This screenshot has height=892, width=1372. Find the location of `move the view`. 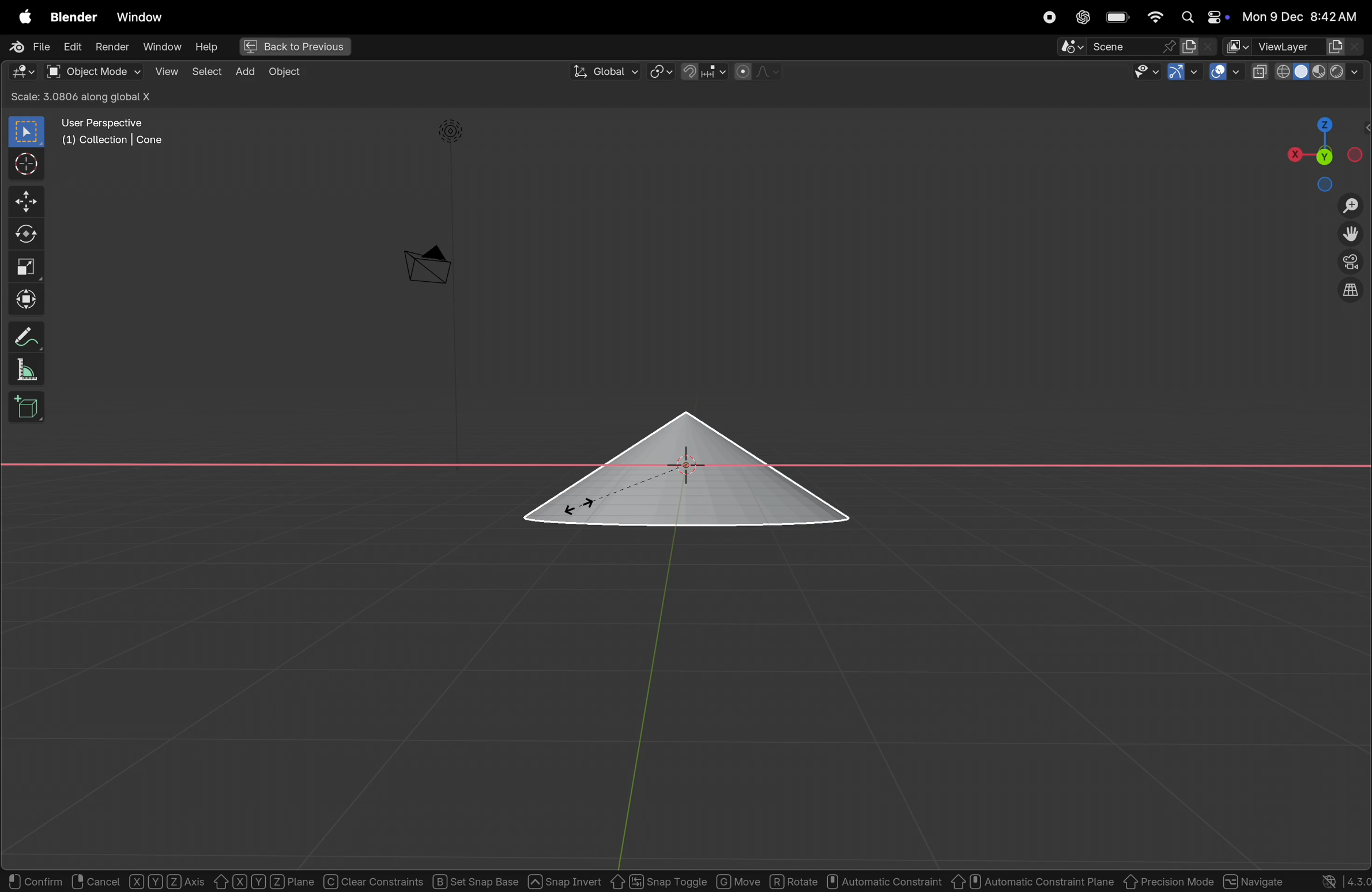

move the view is located at coordinates (1351, 233).